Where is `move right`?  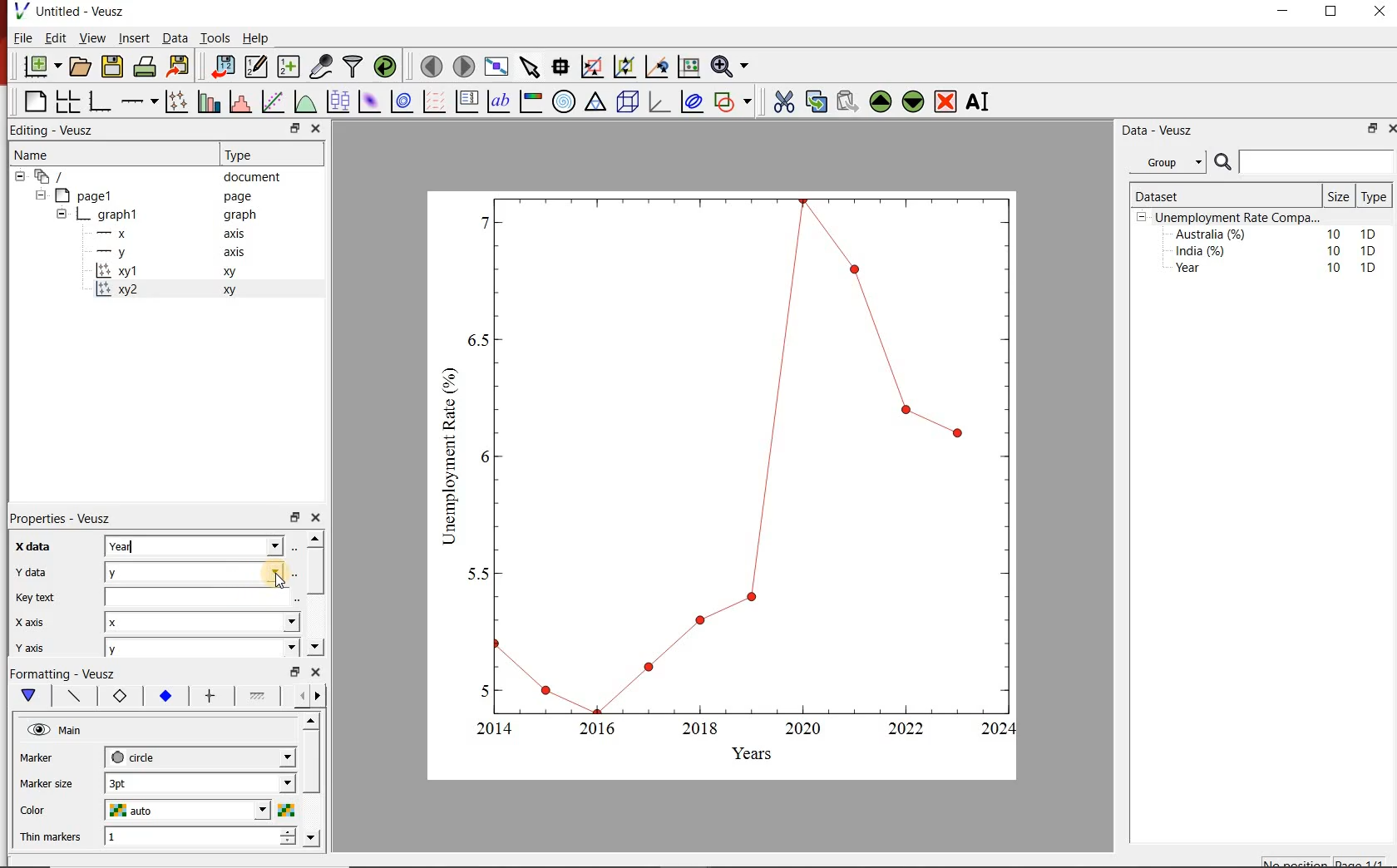 move right is located at coordinates (317, 696).